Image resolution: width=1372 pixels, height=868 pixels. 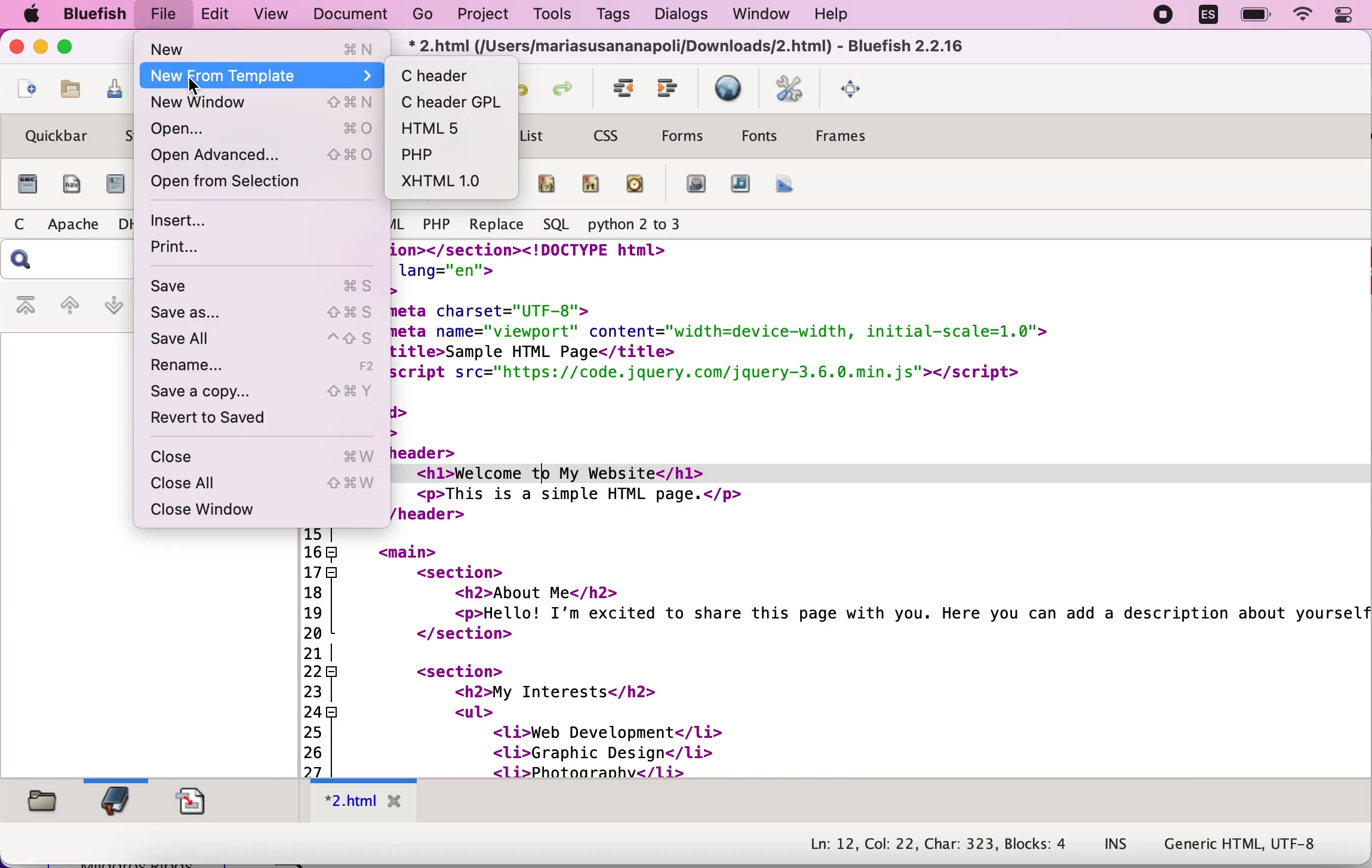 I want to click on Apple icon, so click(x=31, y=14).